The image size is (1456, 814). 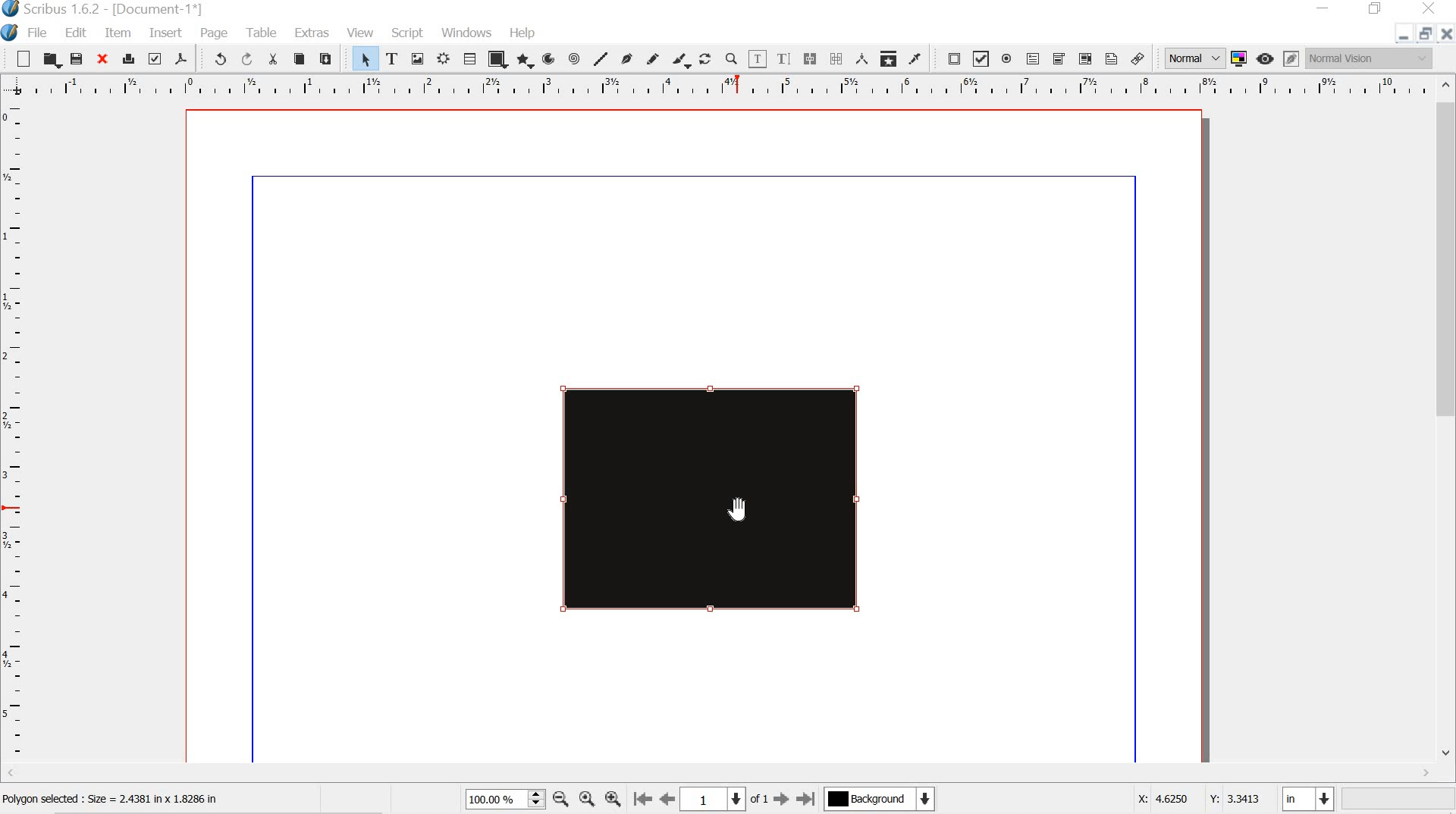 What do you see at coordinates (210, 31) in the screenshot?
I see `page` at bounding box center [210, 31].